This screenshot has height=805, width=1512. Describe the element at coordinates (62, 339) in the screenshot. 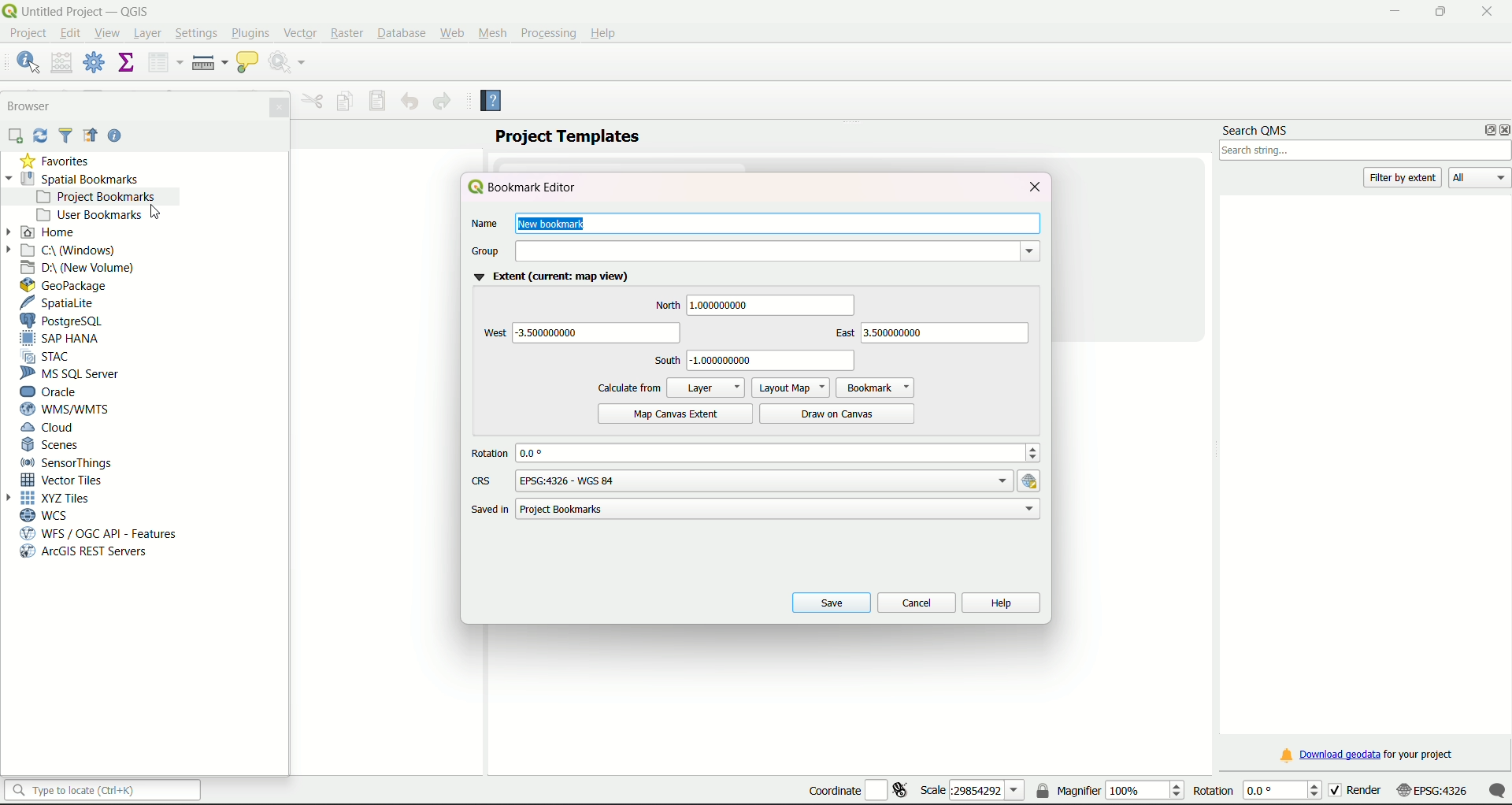

I see `SAP Hana` at that location.